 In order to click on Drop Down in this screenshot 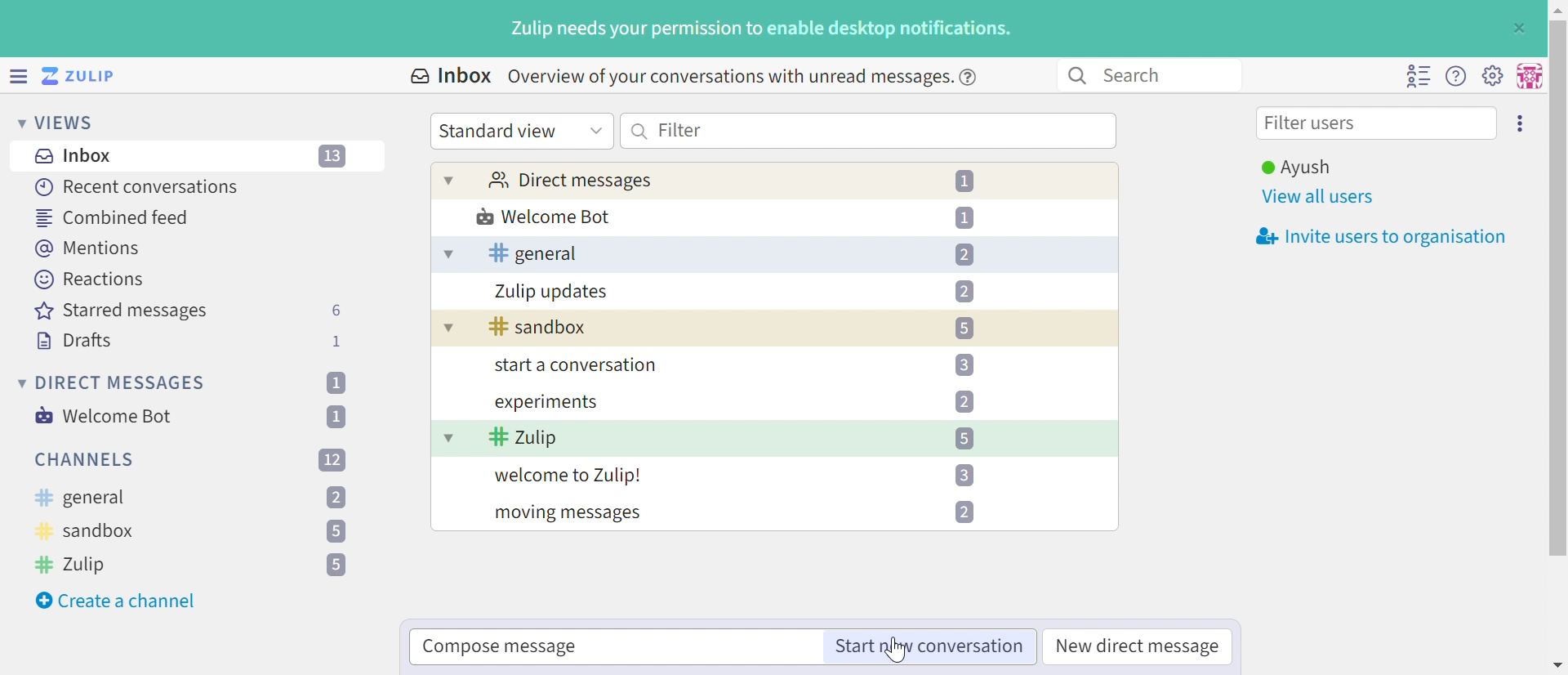, I will do `click(448, 437)`.